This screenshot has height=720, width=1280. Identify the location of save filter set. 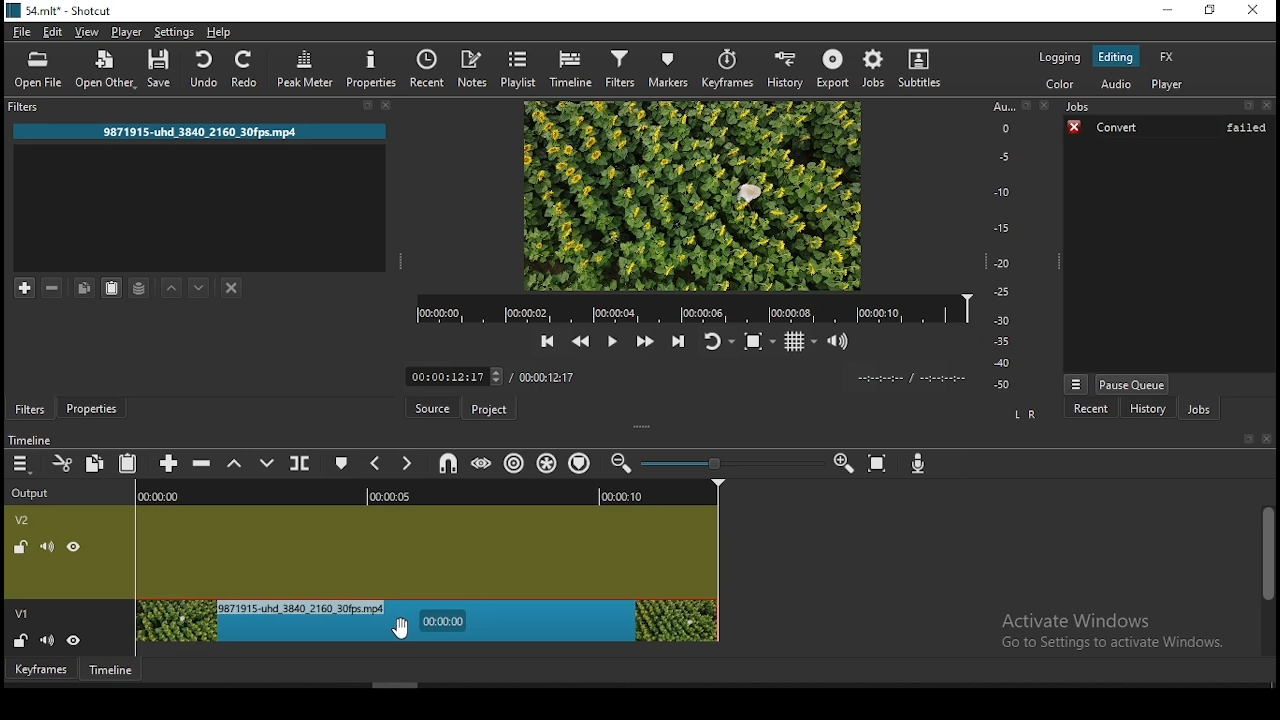
(139, 285).